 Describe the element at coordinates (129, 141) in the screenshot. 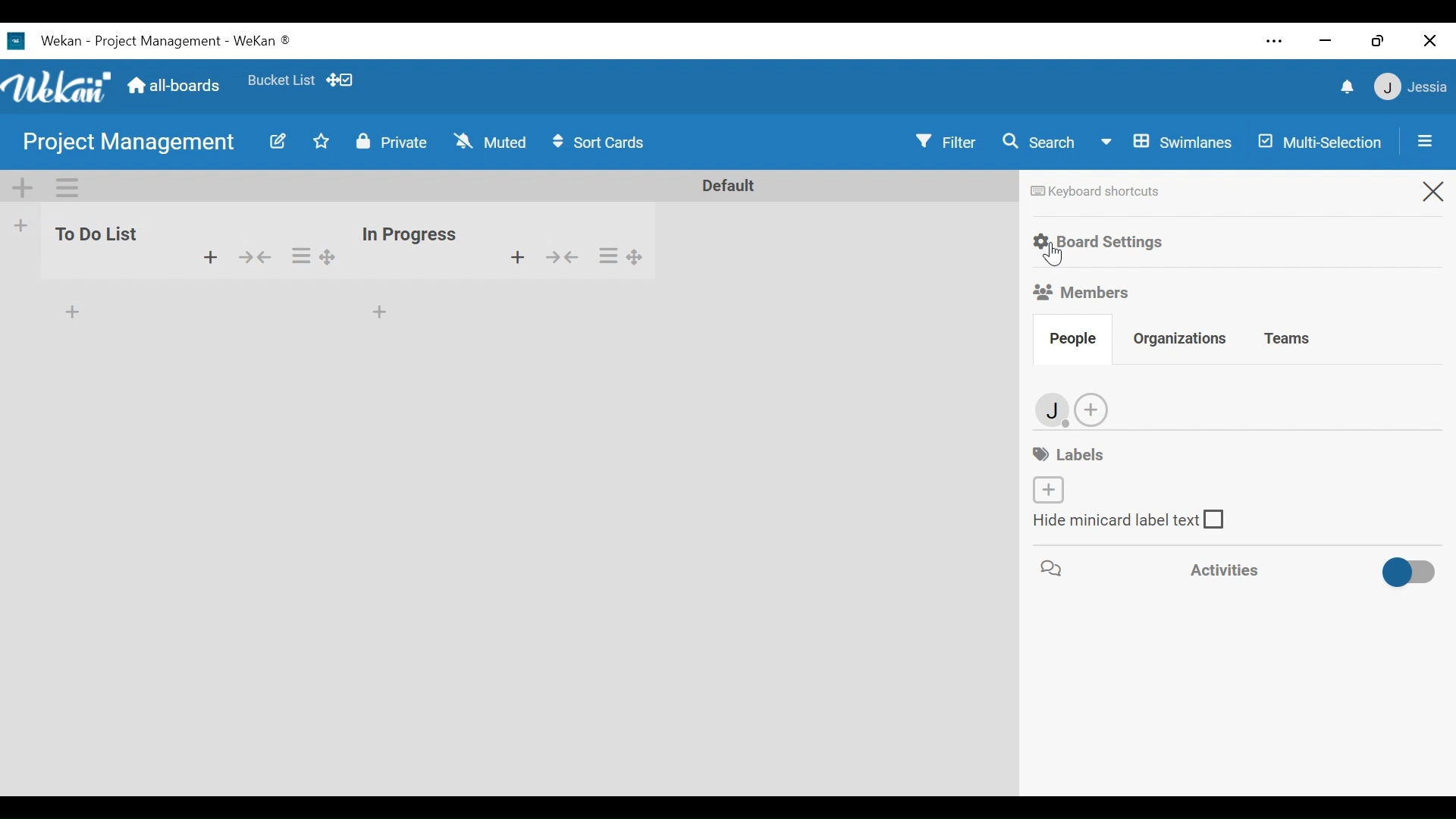

I see `Board Name` at that location.